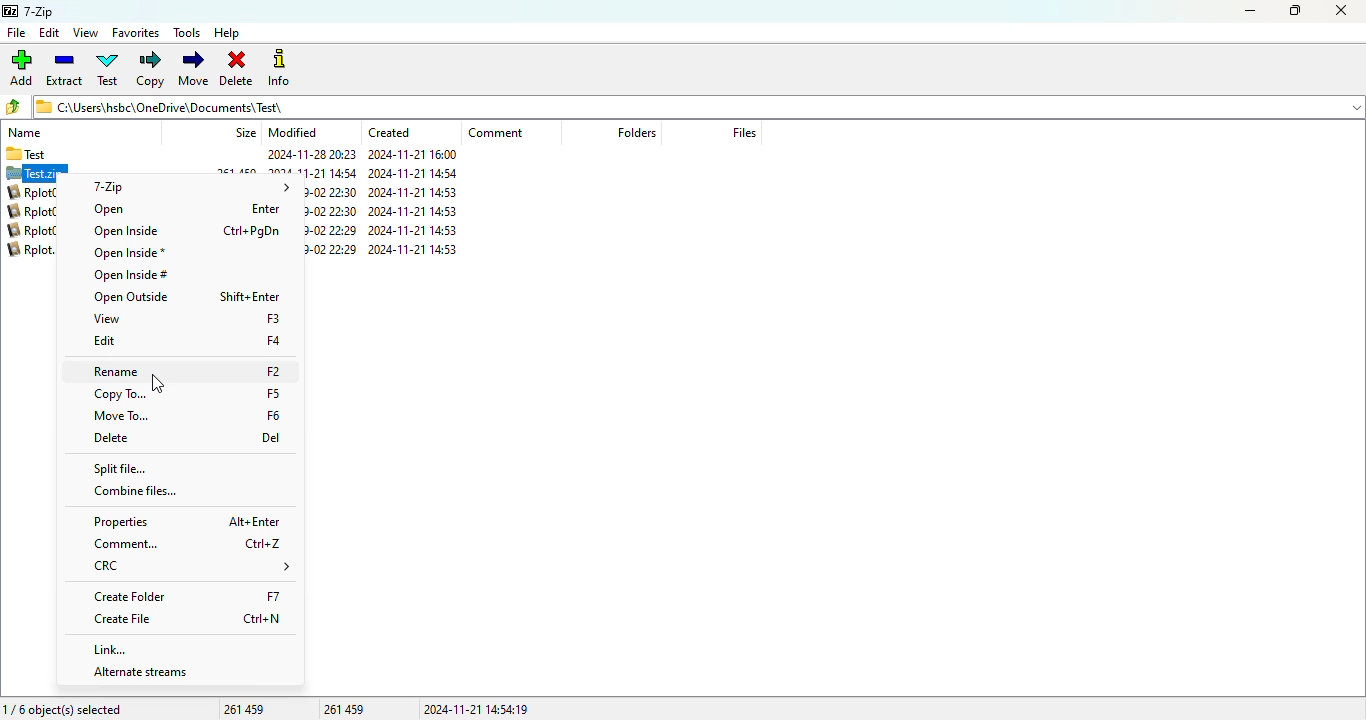  What do you see at coordinates (188, 187) in the screenshot?
I see `7-Zip` at bounding box center [188, 187].